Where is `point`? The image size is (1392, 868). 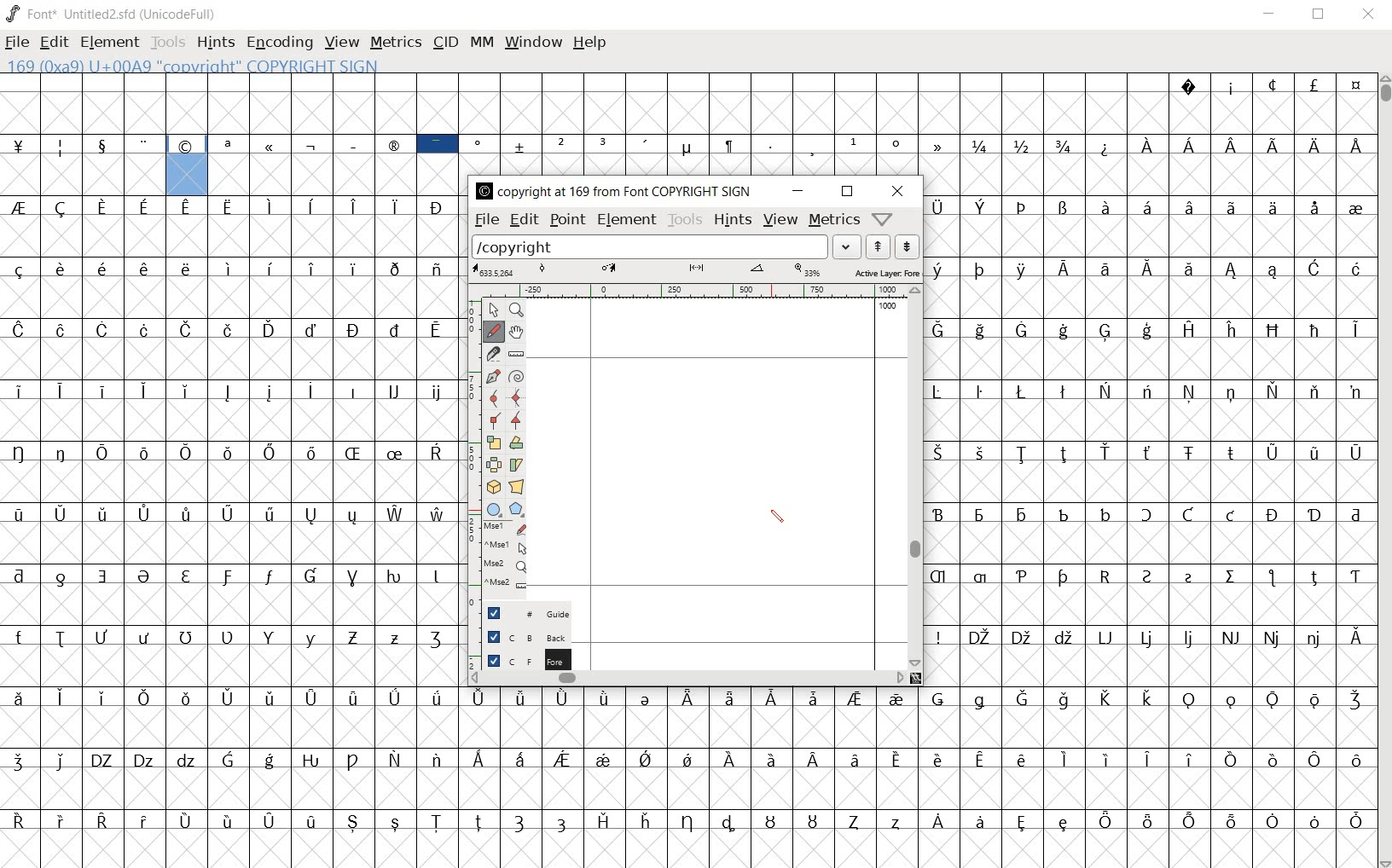 point is located at coordinates (566, 220).